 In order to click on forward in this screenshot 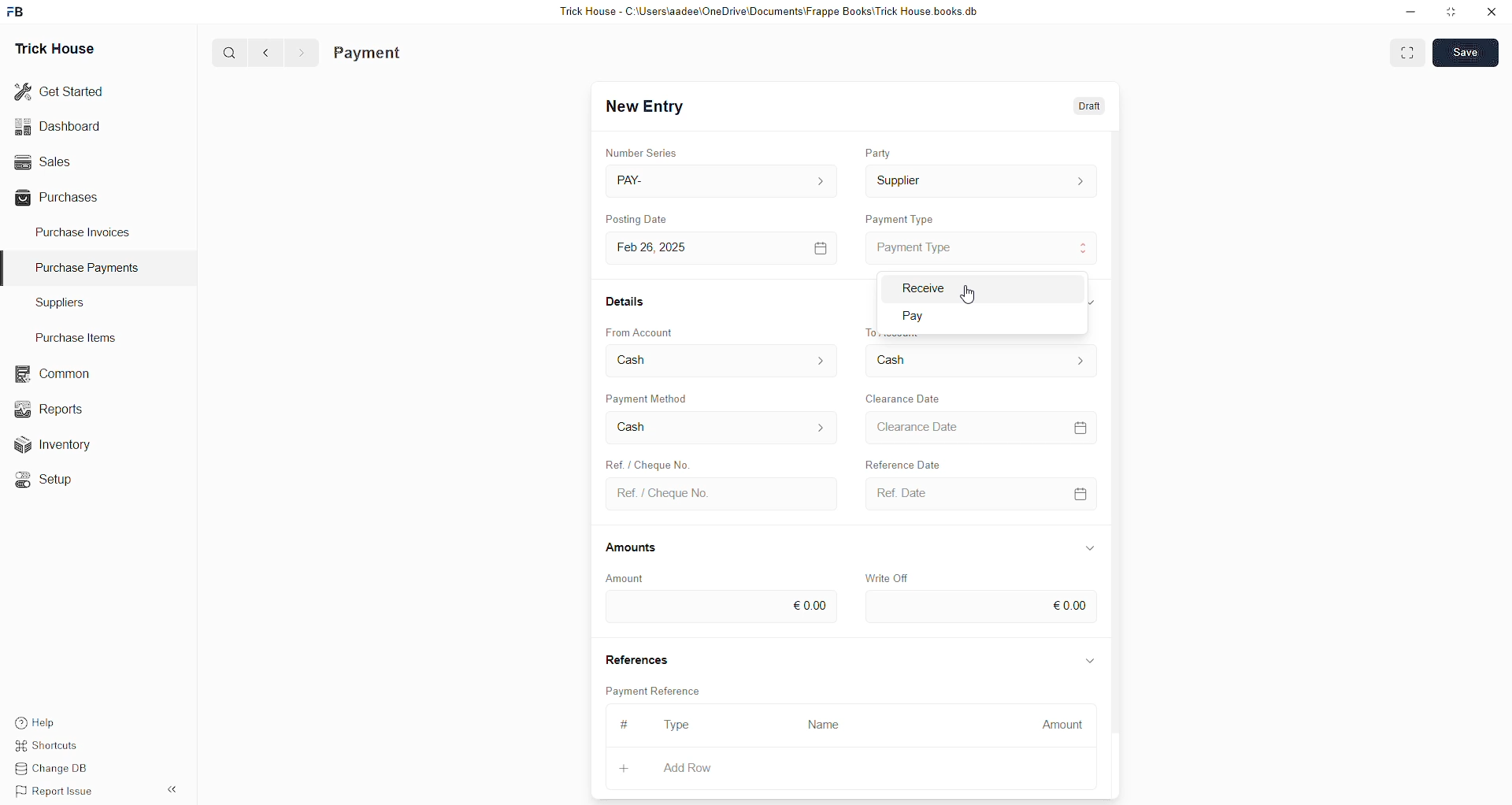, I will do `click(301, 53)`.